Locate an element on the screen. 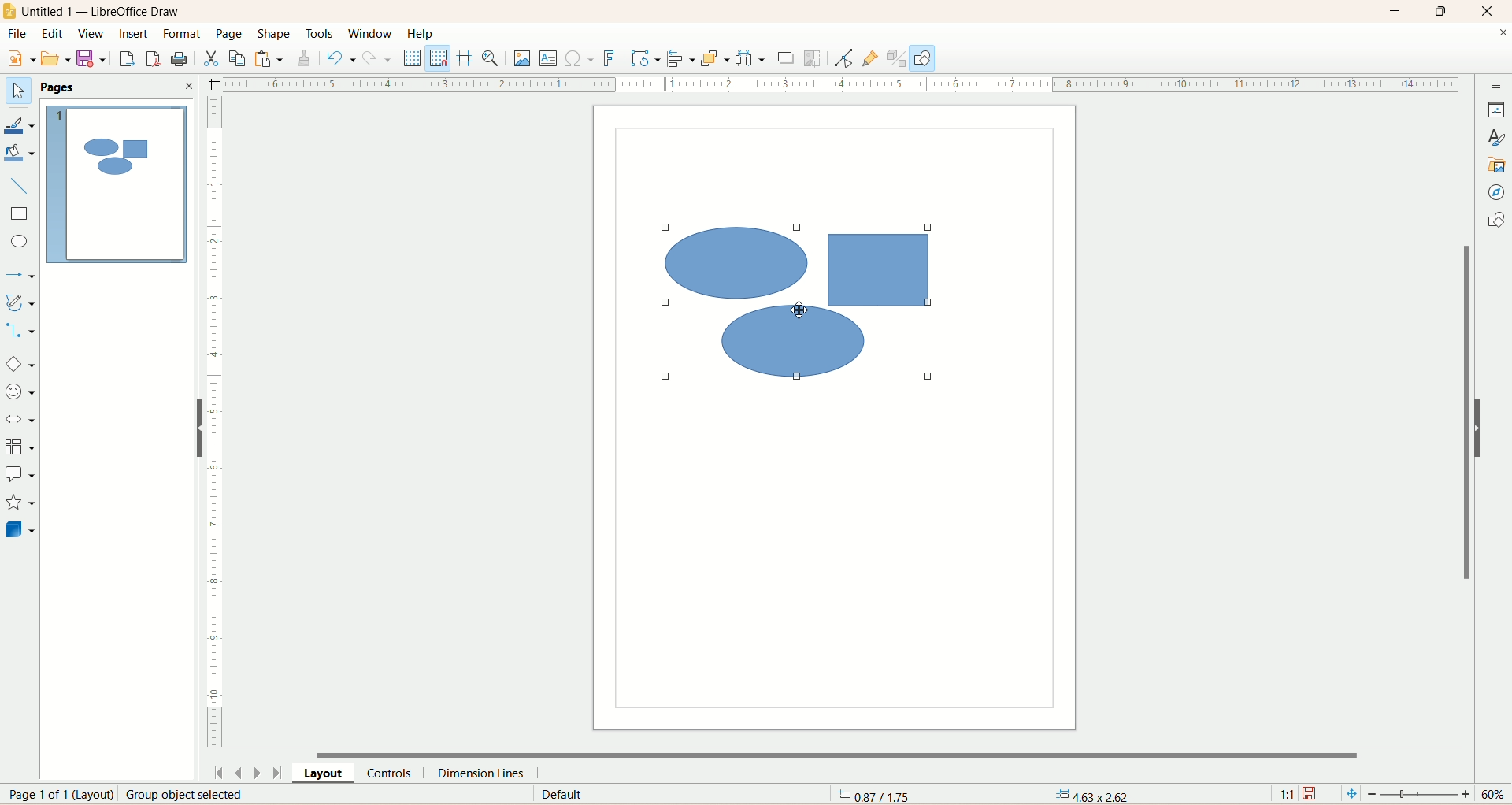 Image resolution: width=1512 pixels, height=805 pixels. coordinates is located at coordinates (871, 796).